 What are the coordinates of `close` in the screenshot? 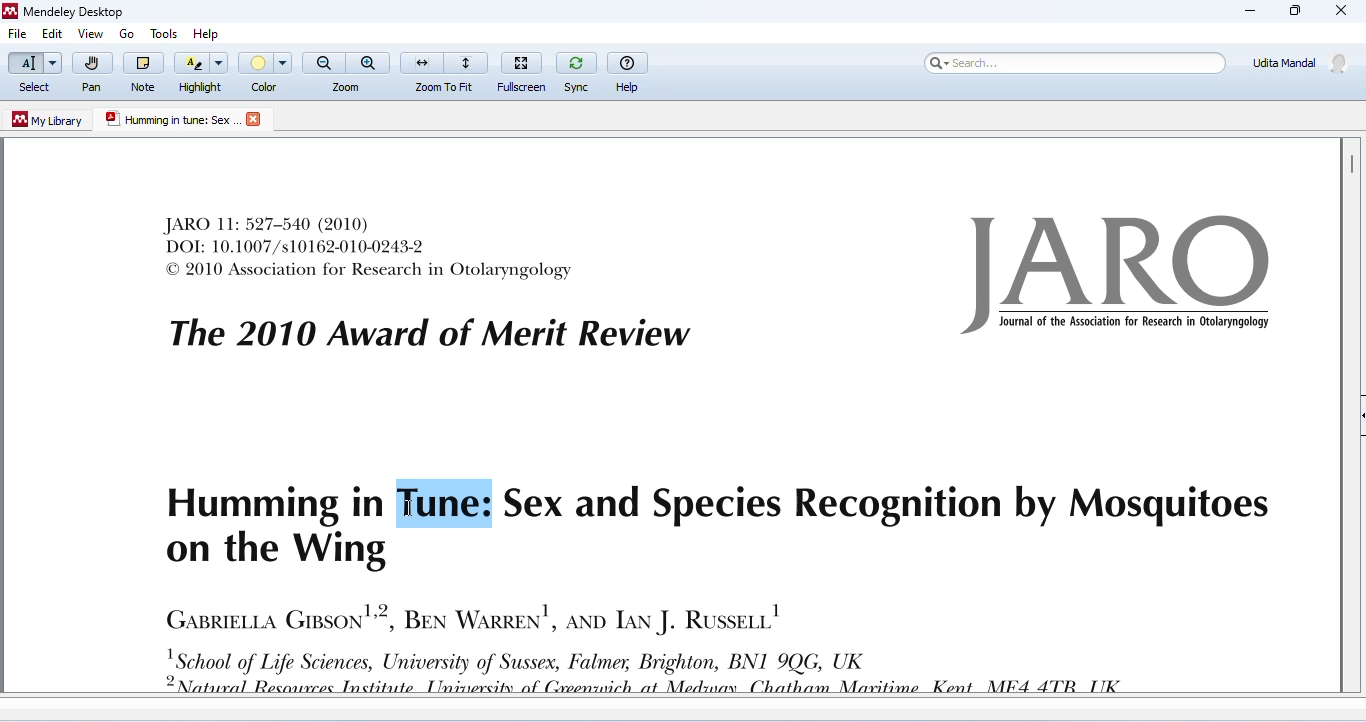 It's located at (1342, 12).